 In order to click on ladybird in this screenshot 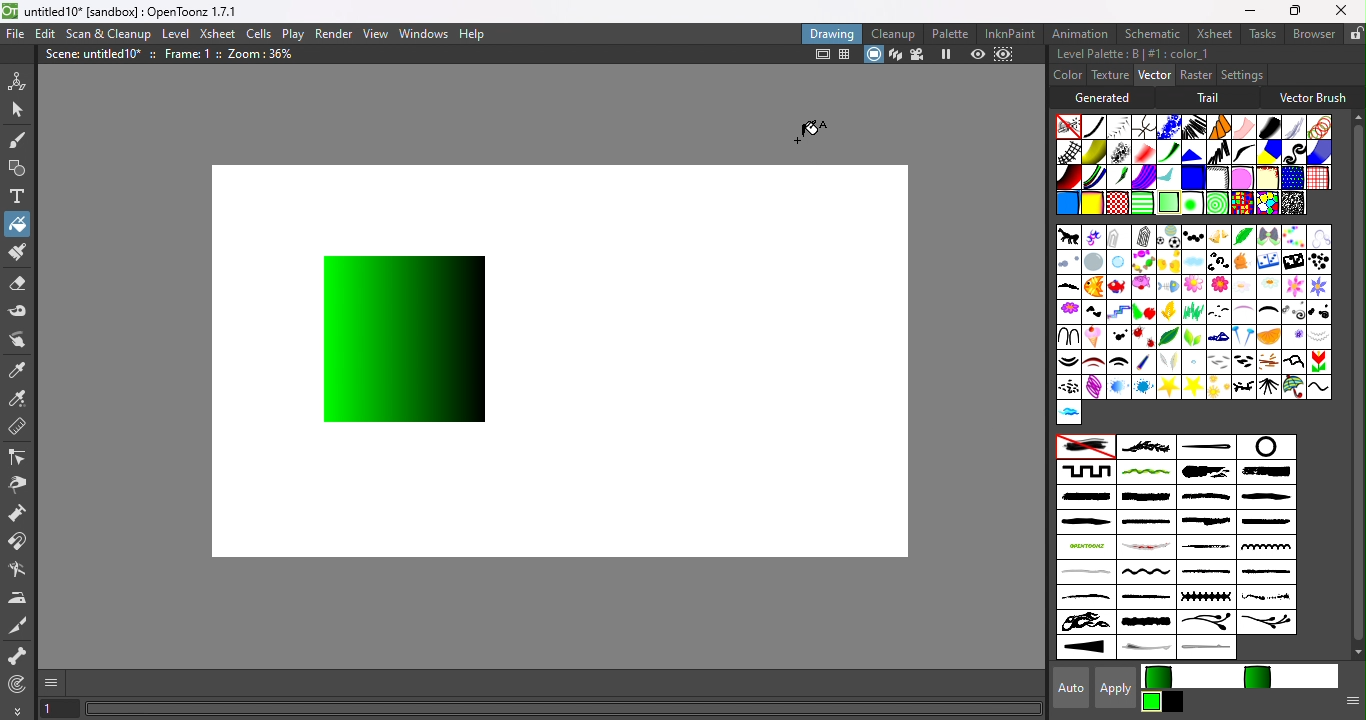, I will do `click(1143, 337)`.